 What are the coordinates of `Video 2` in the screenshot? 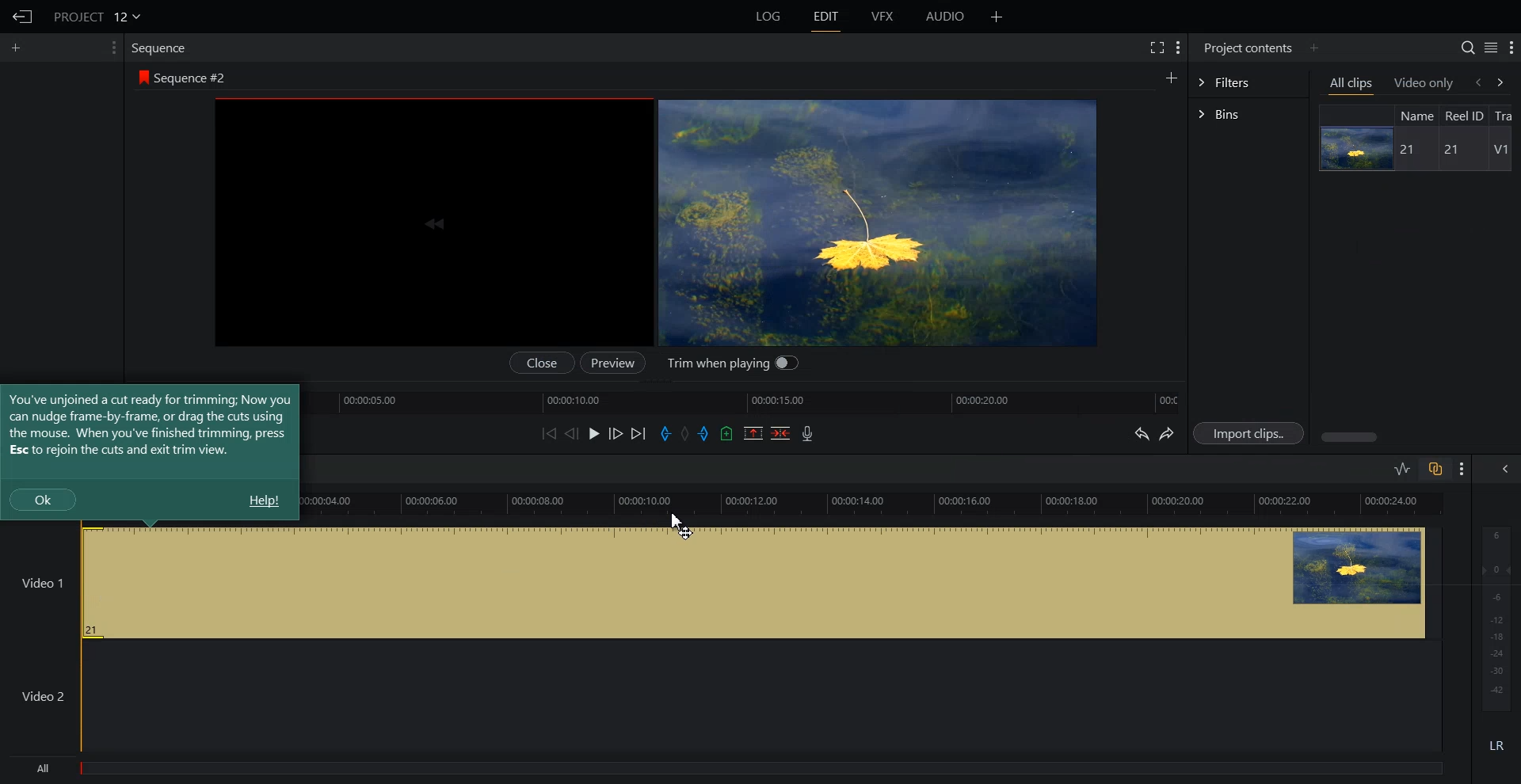 It's located at (721, 696).